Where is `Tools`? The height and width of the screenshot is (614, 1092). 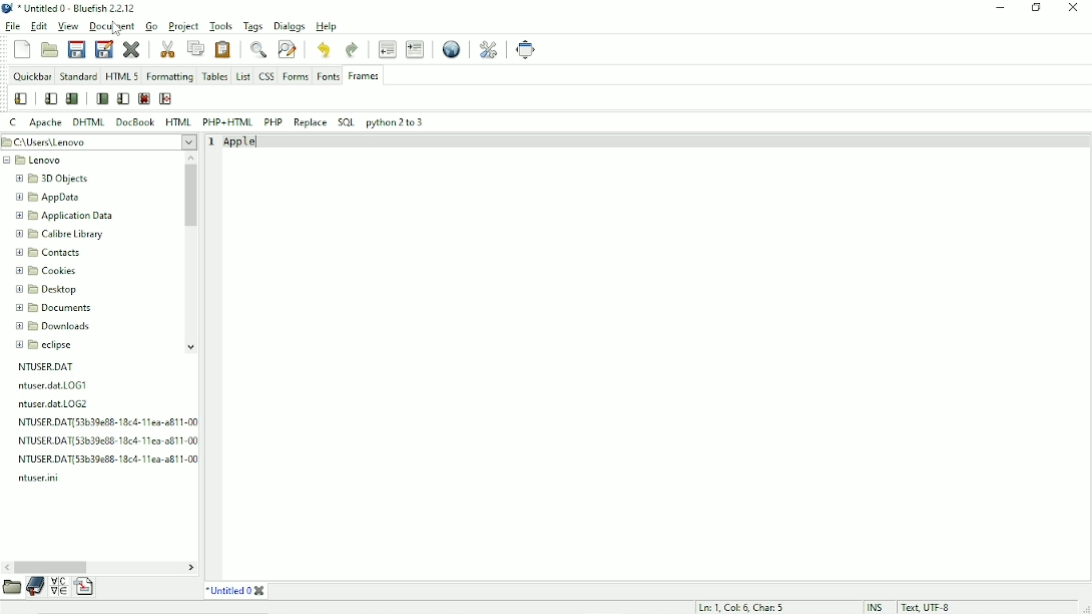
Tools is located at coordinates (221, 26).